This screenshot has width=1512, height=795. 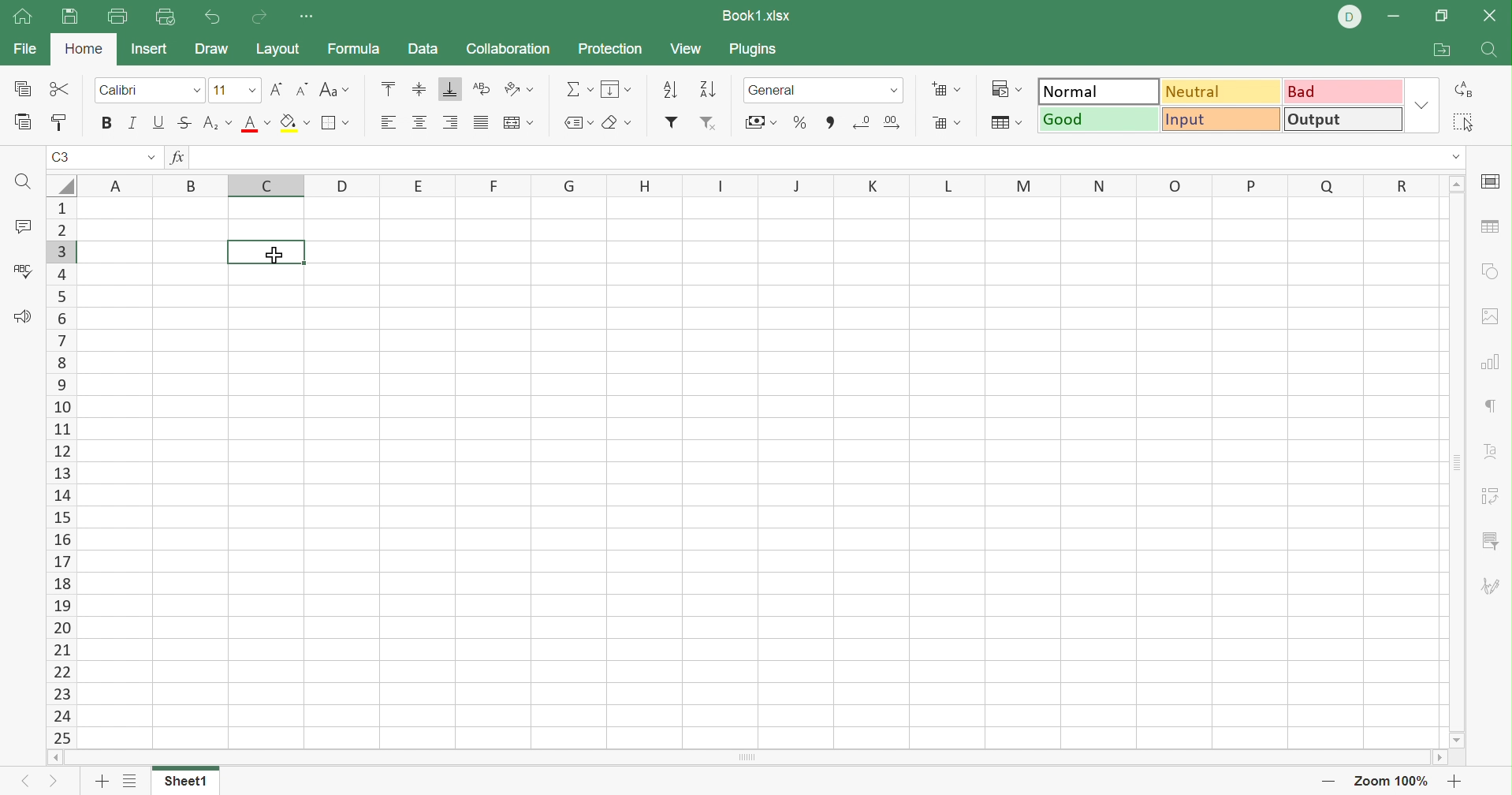 What do you see at coordinates (184, 124) in the screenshot?
I see `Strikethrough` at bounding box center [184, 124].